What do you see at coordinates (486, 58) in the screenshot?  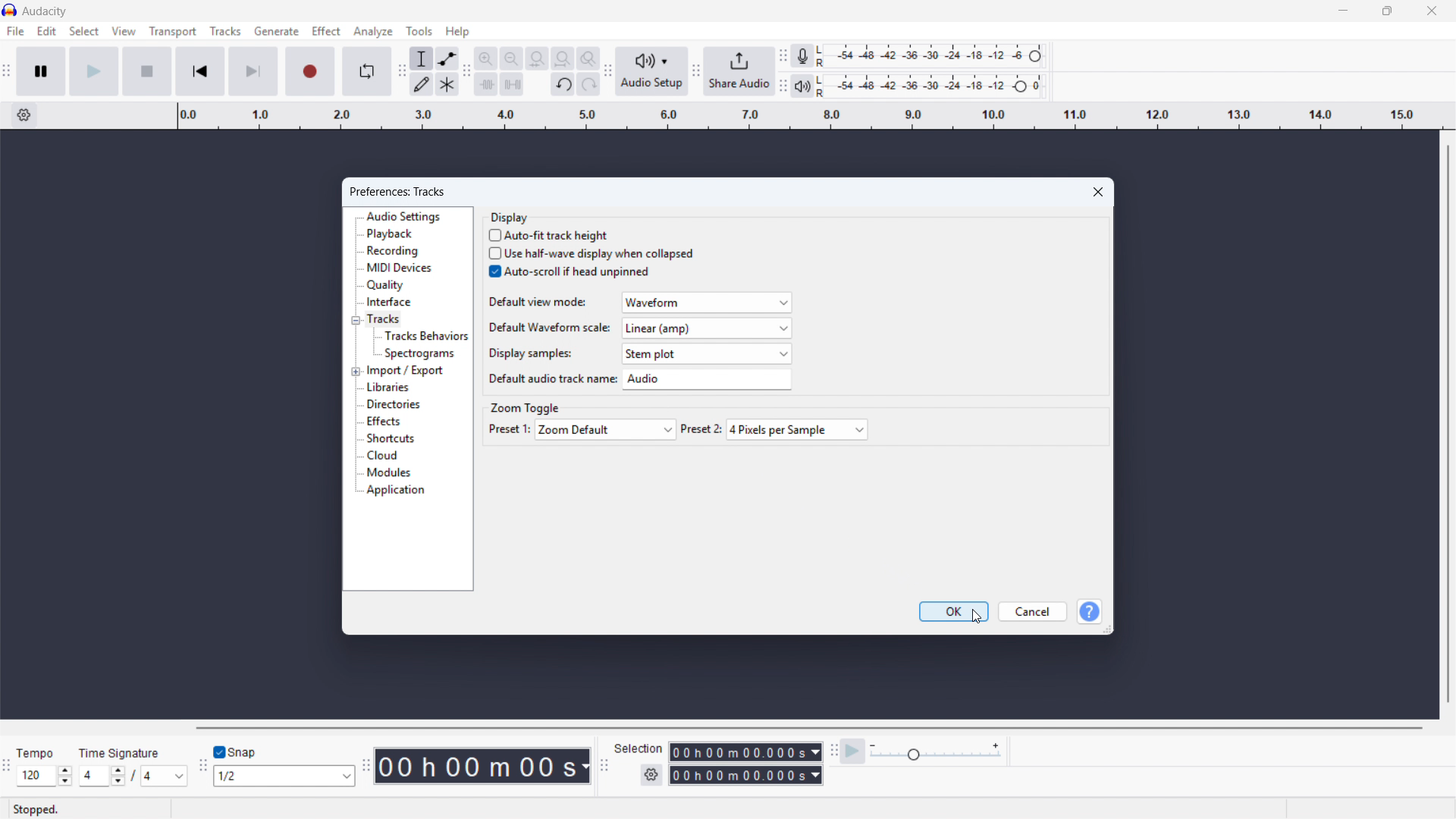 I see `zoom in` at bounding box center [486, 58].